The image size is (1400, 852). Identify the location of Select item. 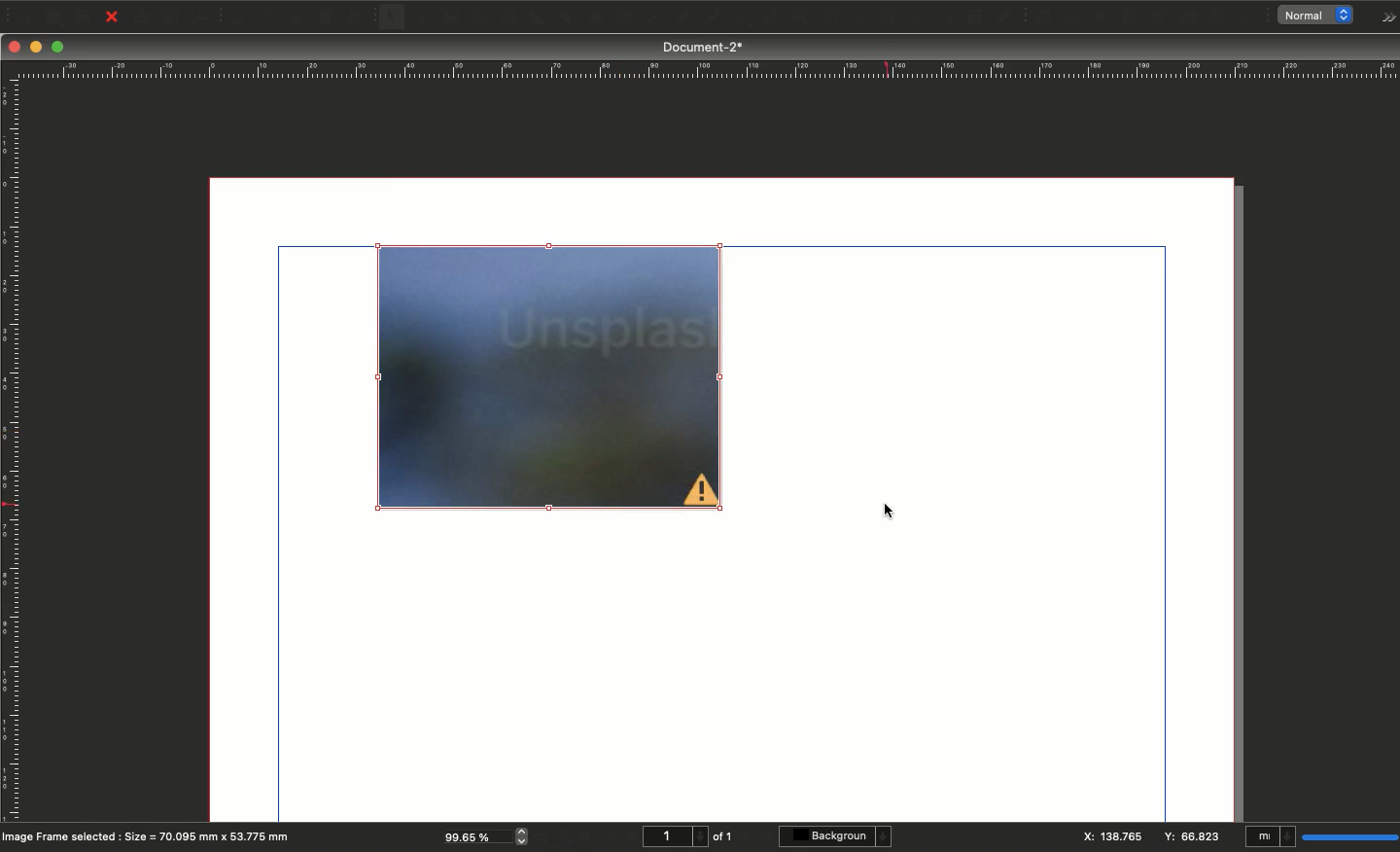
(393, 18).